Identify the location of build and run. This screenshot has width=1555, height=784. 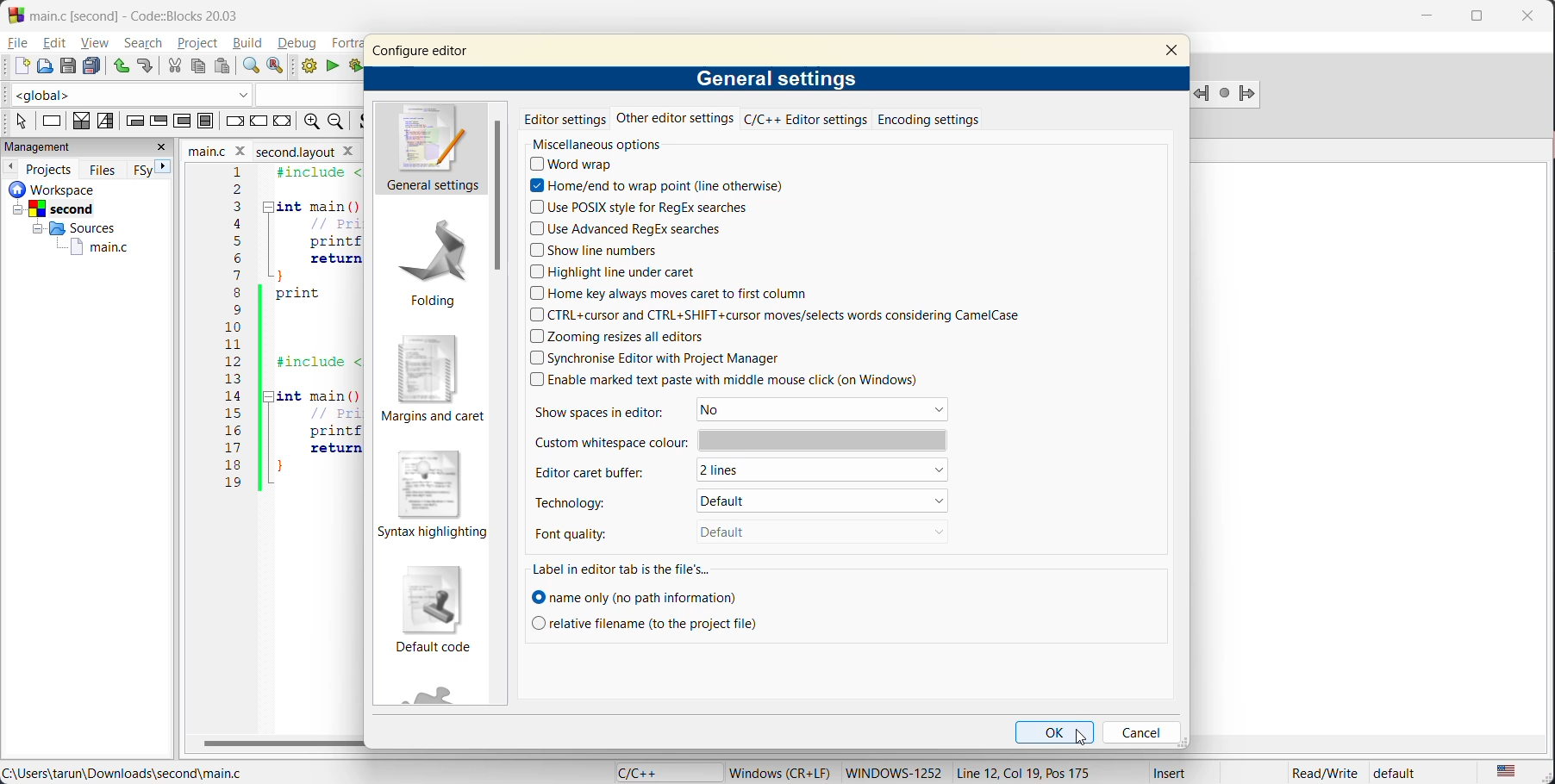
(356, 65).